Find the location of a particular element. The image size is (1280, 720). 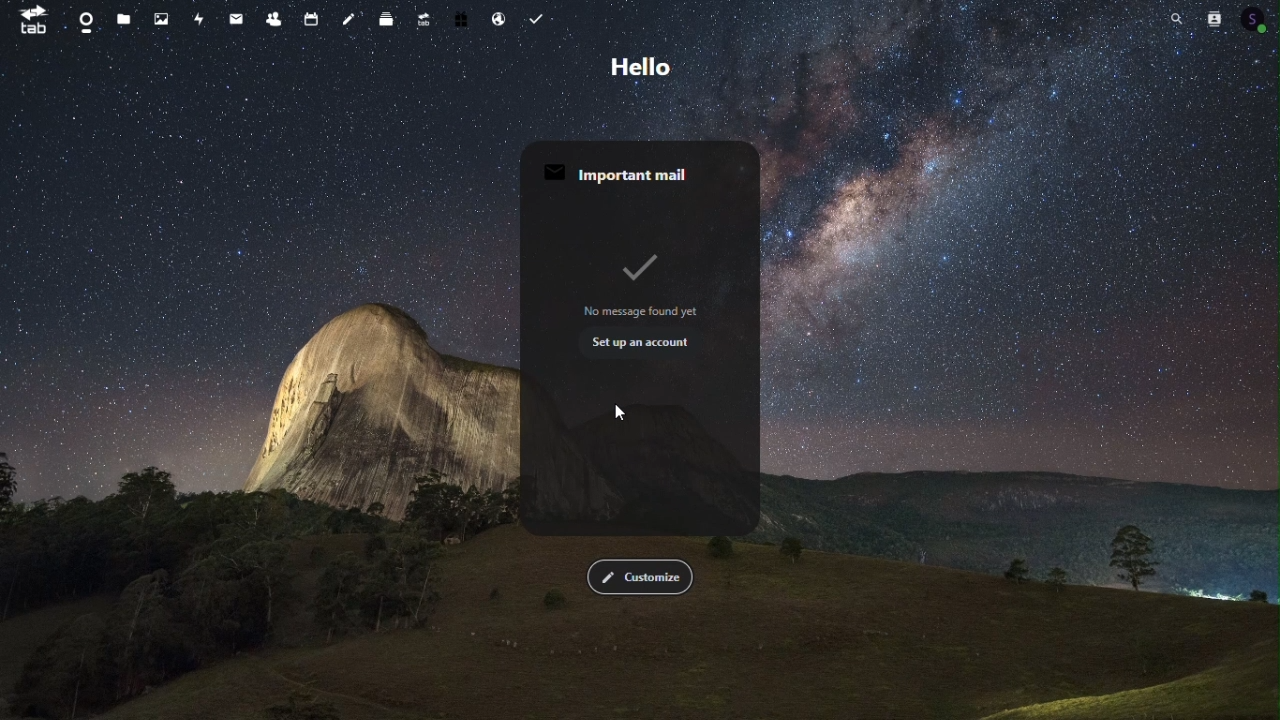

setup an account is located at coordinates (640, 345).